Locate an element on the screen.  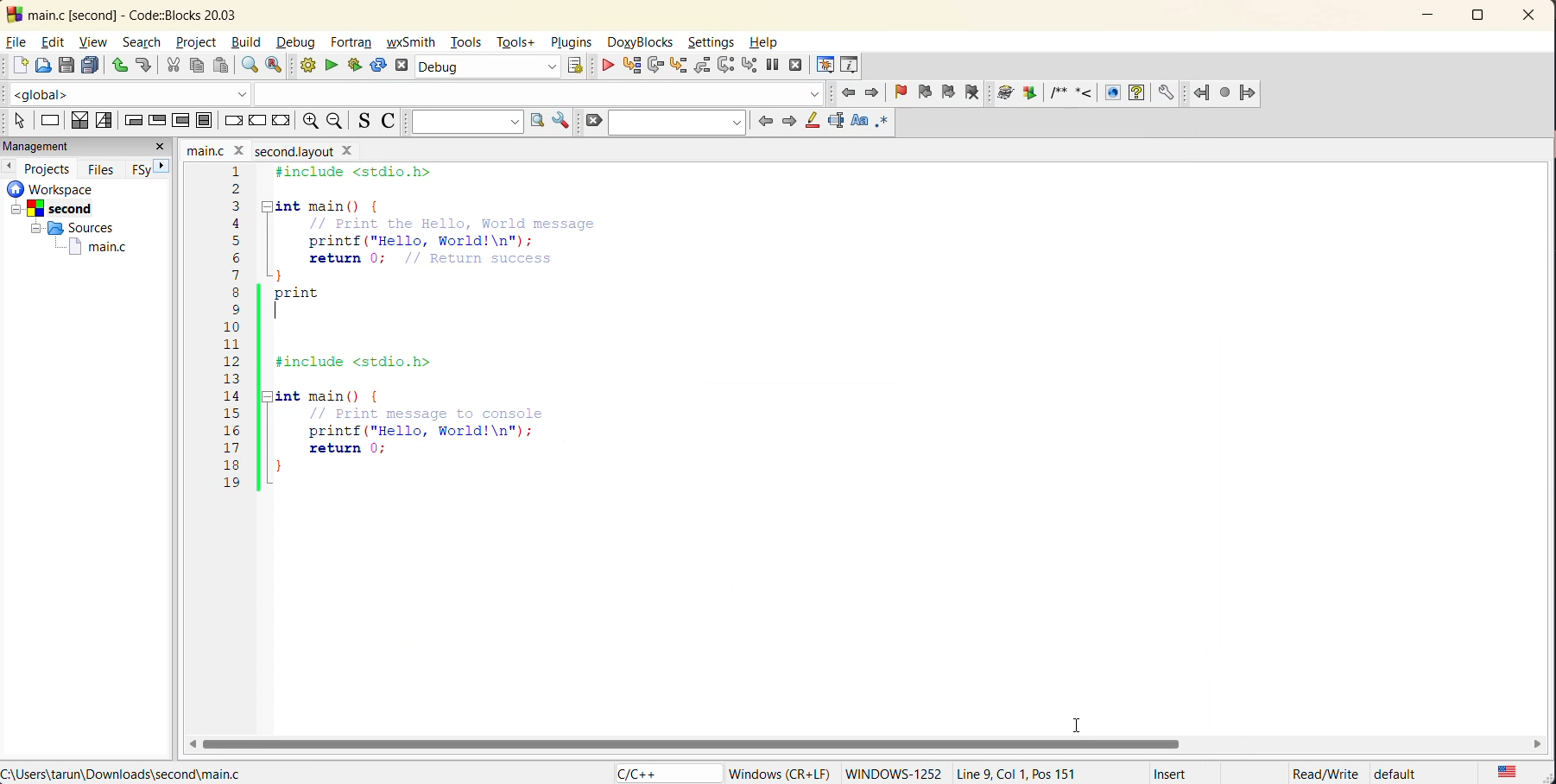
fortran is located at coordinates (354, 44).